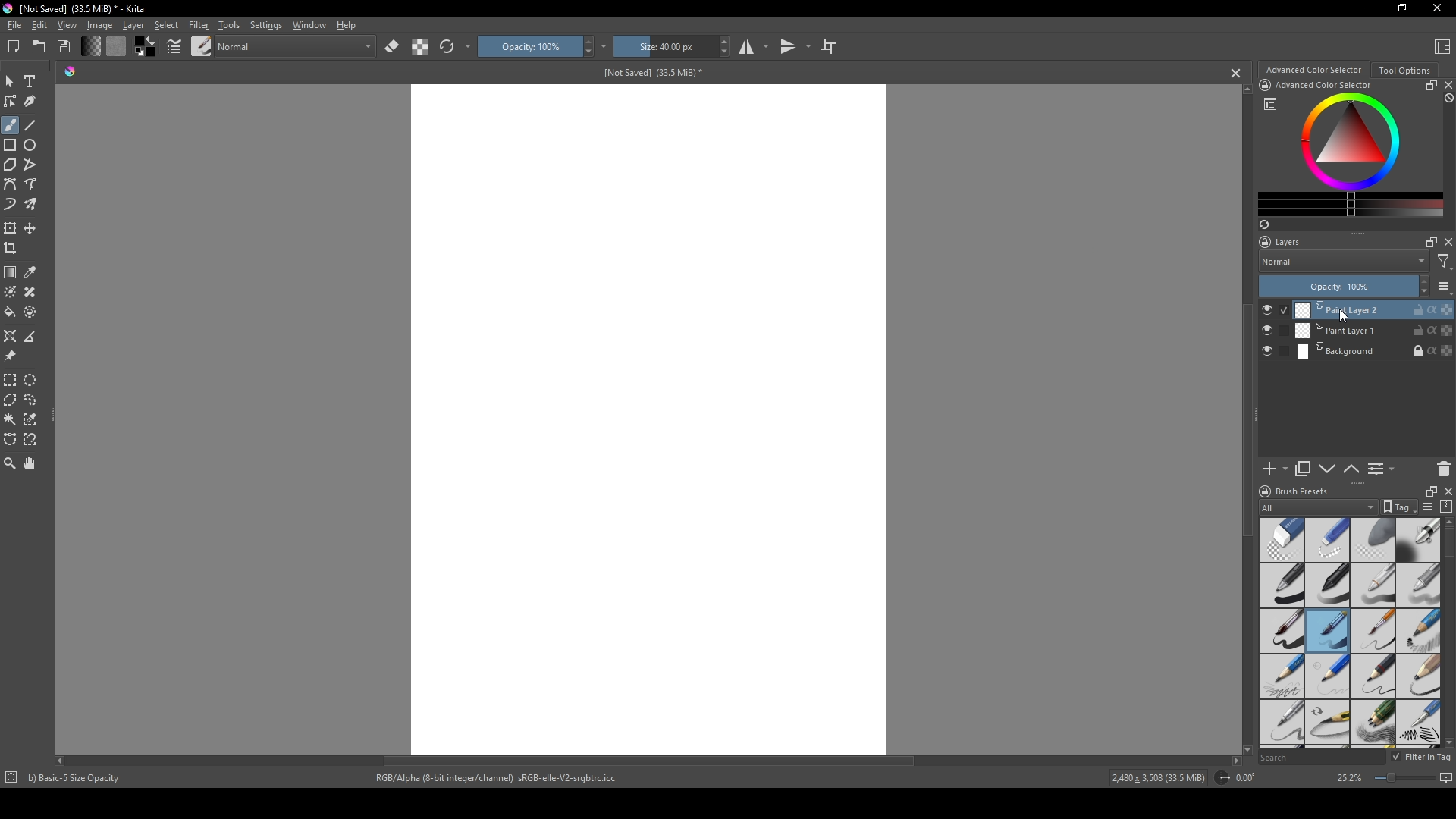  I want to click on change shade, so click(90, 46).